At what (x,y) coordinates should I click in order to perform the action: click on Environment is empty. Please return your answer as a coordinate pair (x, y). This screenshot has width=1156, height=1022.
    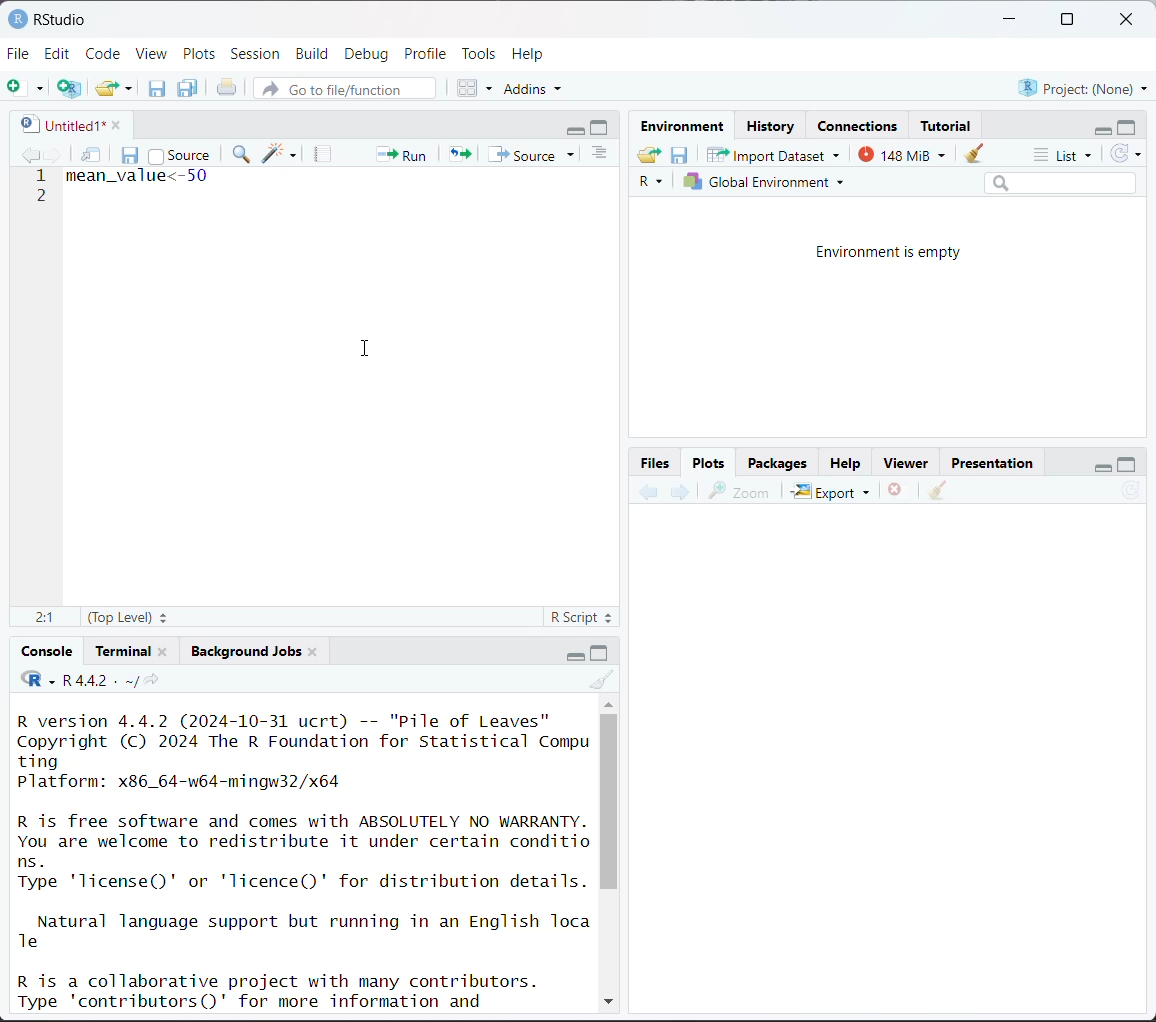
    Looking at the image, I should click on (890, 253).